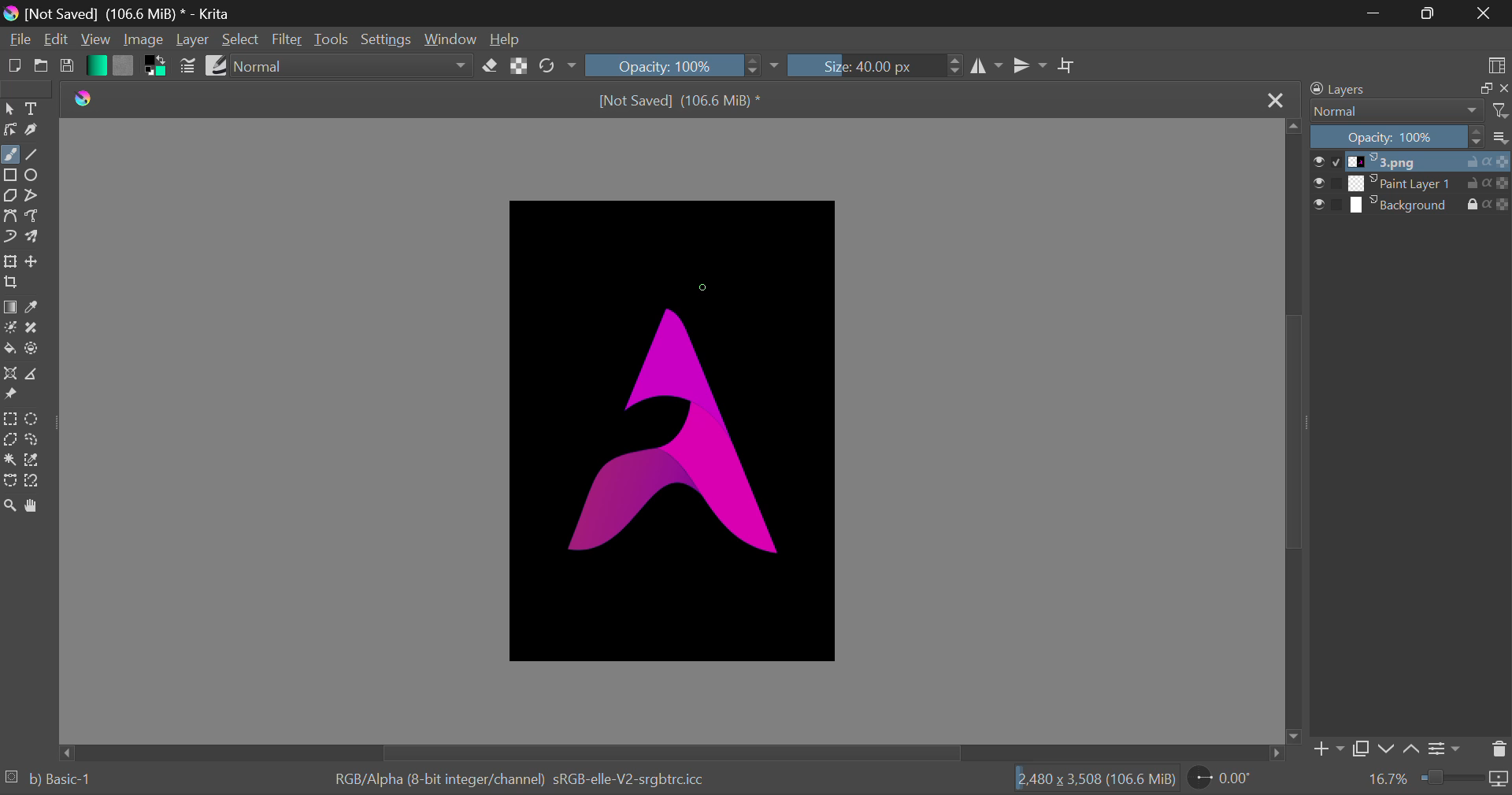 Image resolution: width=1512 pixels, height=795 pixels. I want to click on Move Layer, so click(36, 263).